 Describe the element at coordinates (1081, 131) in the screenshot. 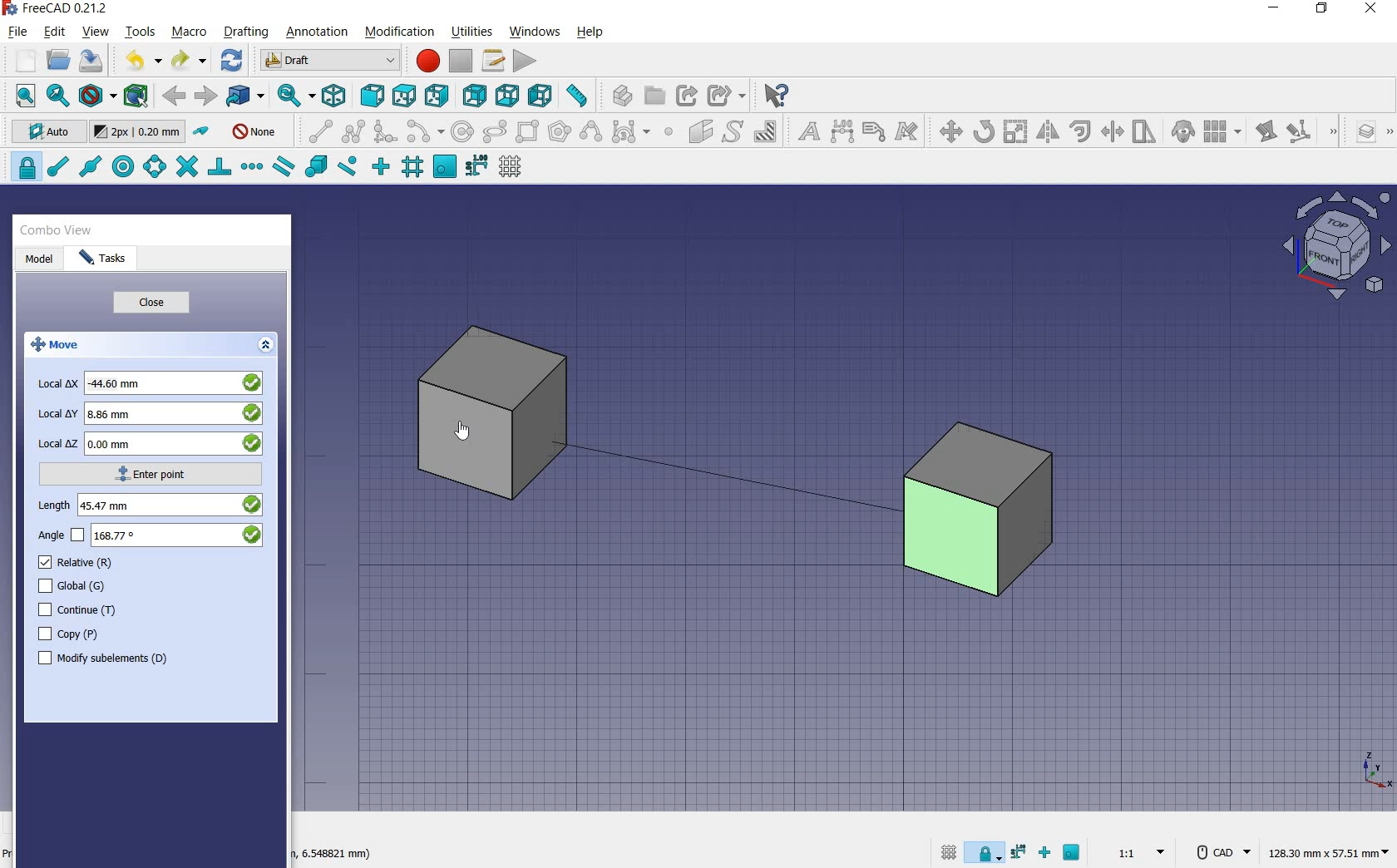

I see `offset` at that location.